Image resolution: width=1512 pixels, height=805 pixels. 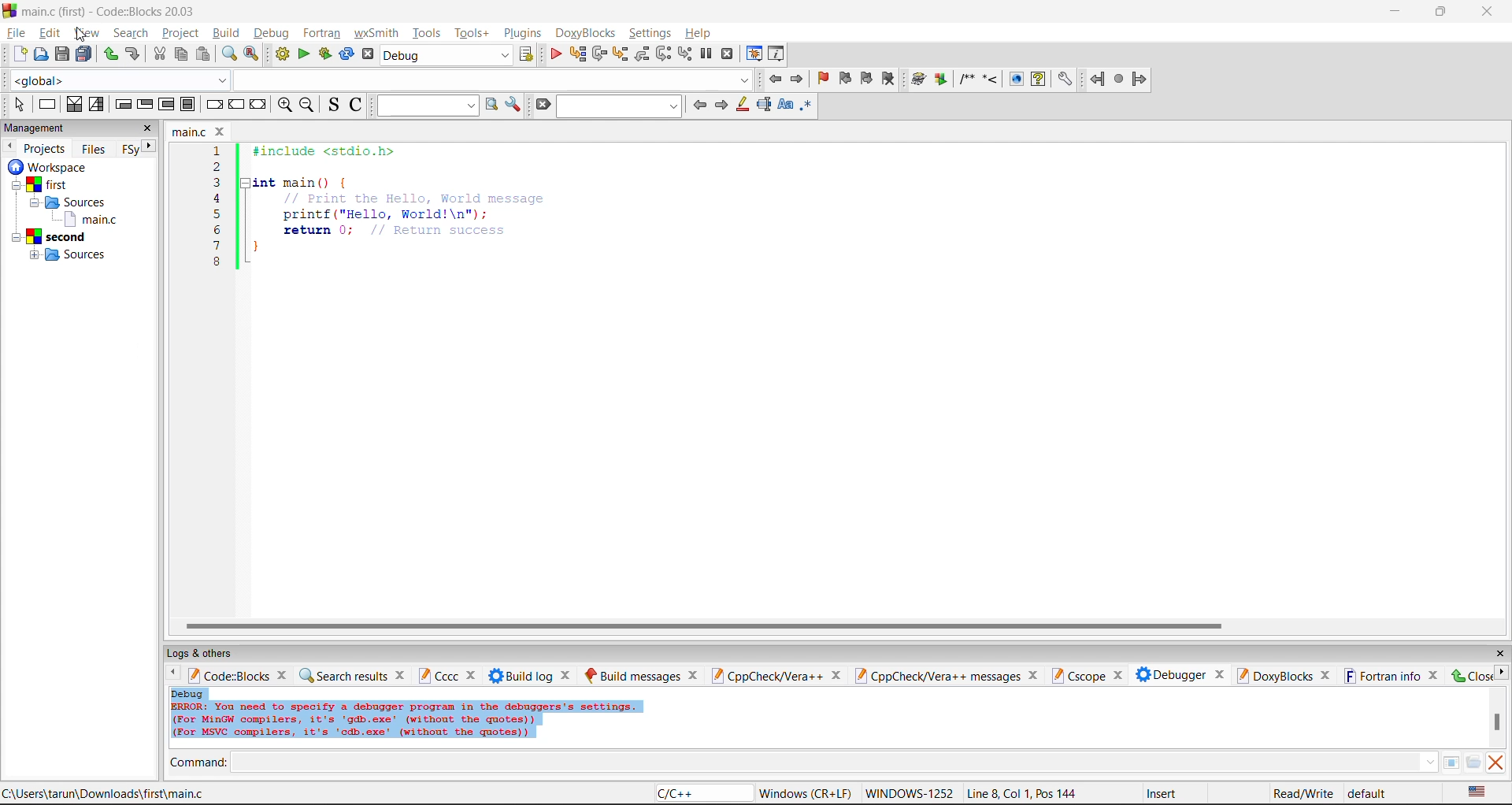 I want to click on setting, so click(x=1065, y=80).